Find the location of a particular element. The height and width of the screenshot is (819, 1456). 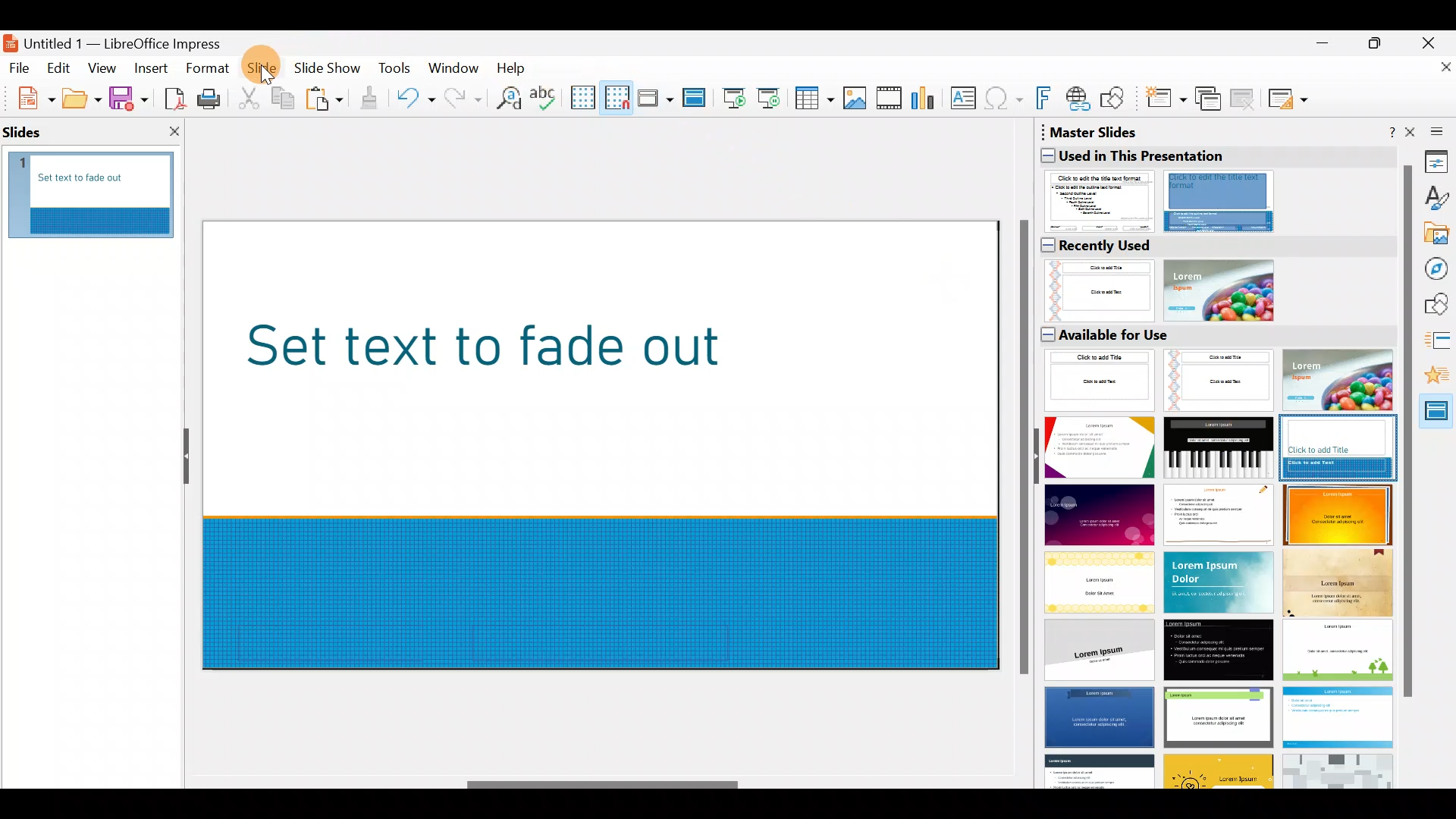

Shapes is located at coordinates (1438, 306).